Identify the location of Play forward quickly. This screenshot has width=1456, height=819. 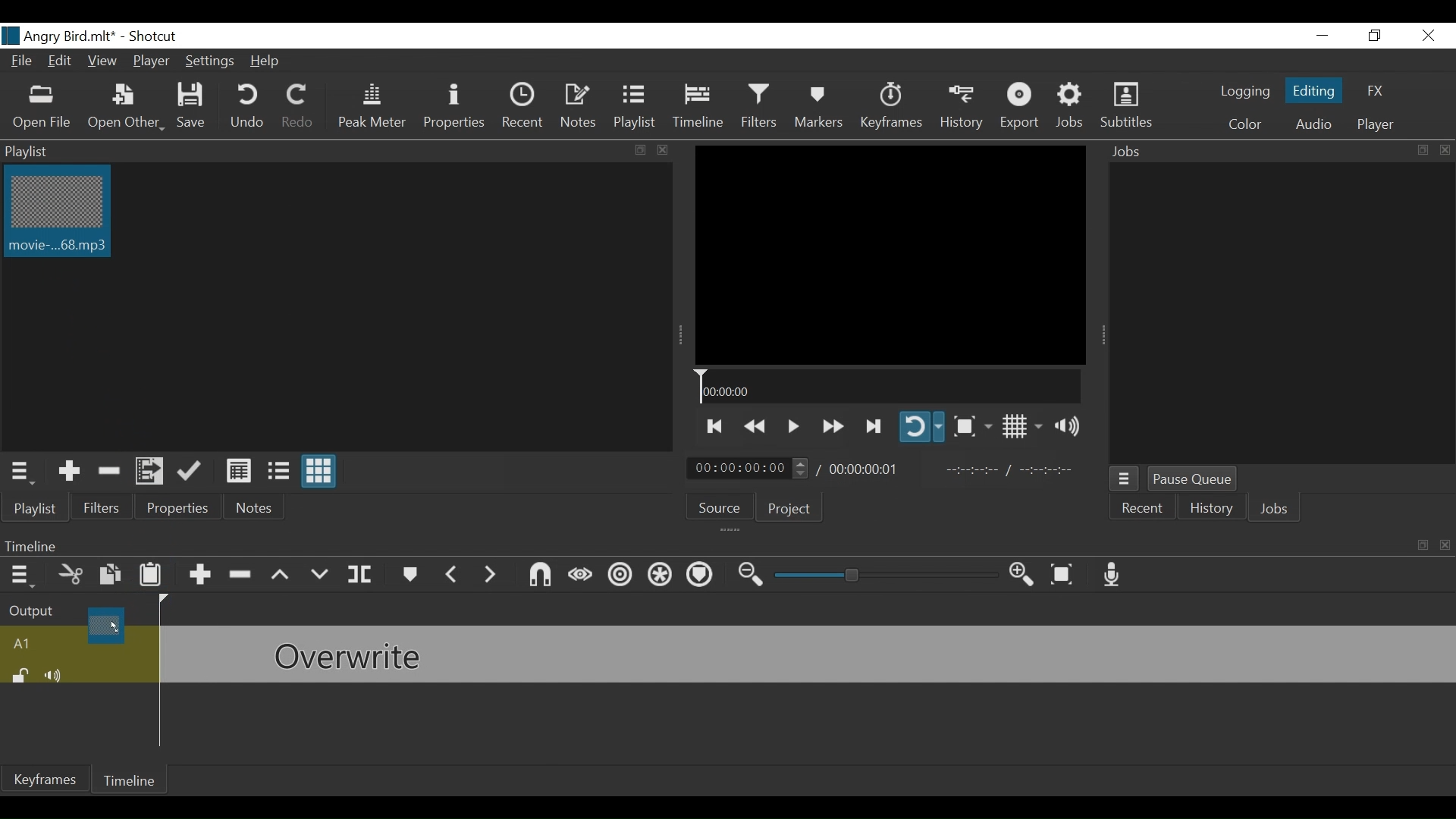
(874, 425).